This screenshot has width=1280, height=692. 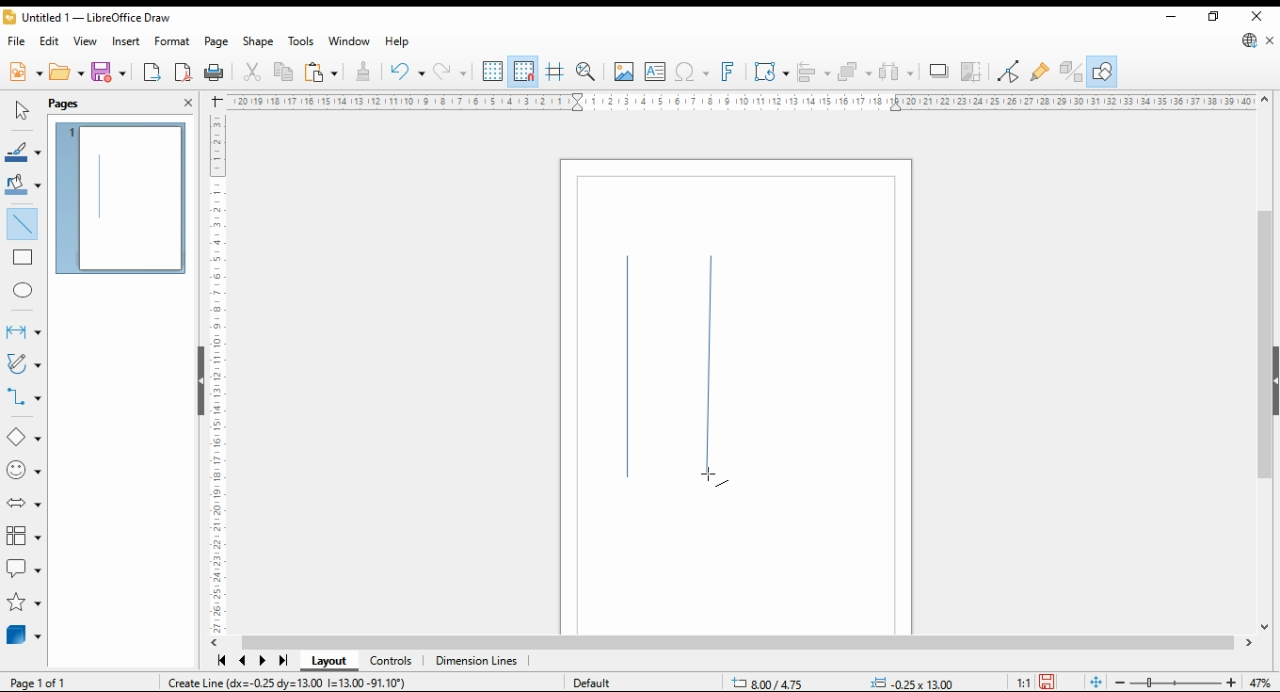 I want to click on zoom factor, so click(x=1262, y=682).